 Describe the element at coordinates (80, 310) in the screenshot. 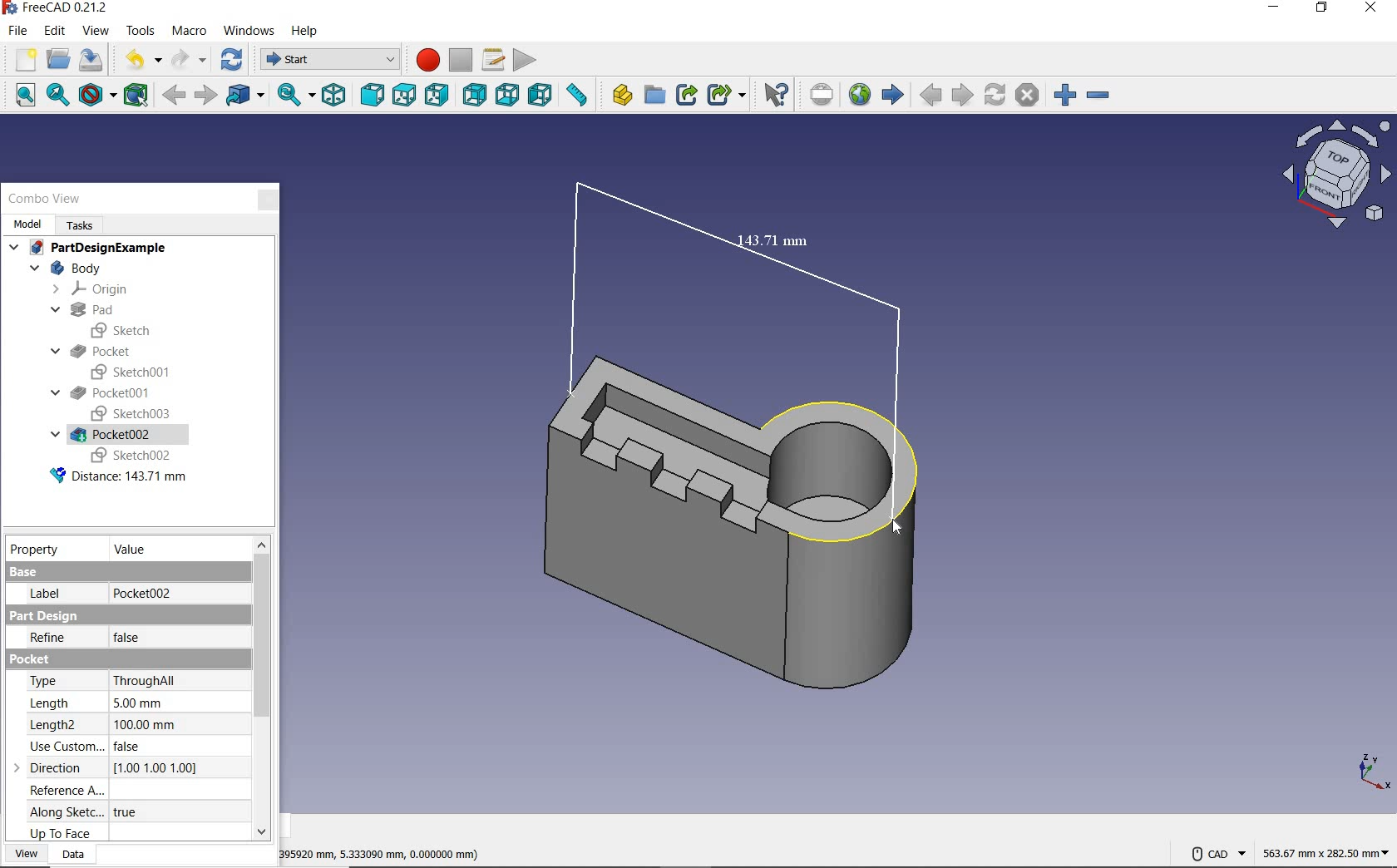

I see `PAD` at that location.